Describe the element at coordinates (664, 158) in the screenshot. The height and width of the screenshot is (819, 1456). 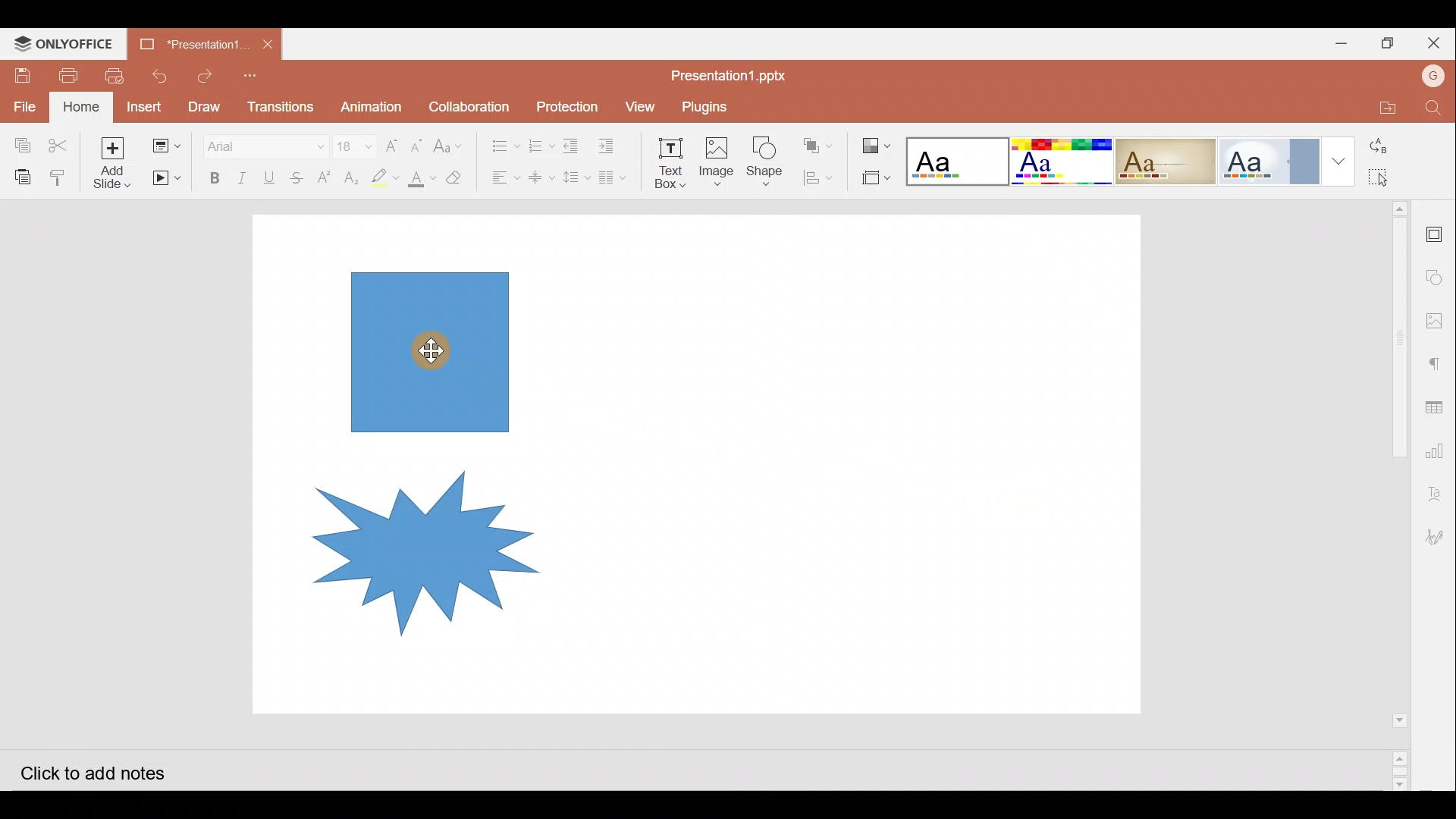
I see `Insert text box` at that location.